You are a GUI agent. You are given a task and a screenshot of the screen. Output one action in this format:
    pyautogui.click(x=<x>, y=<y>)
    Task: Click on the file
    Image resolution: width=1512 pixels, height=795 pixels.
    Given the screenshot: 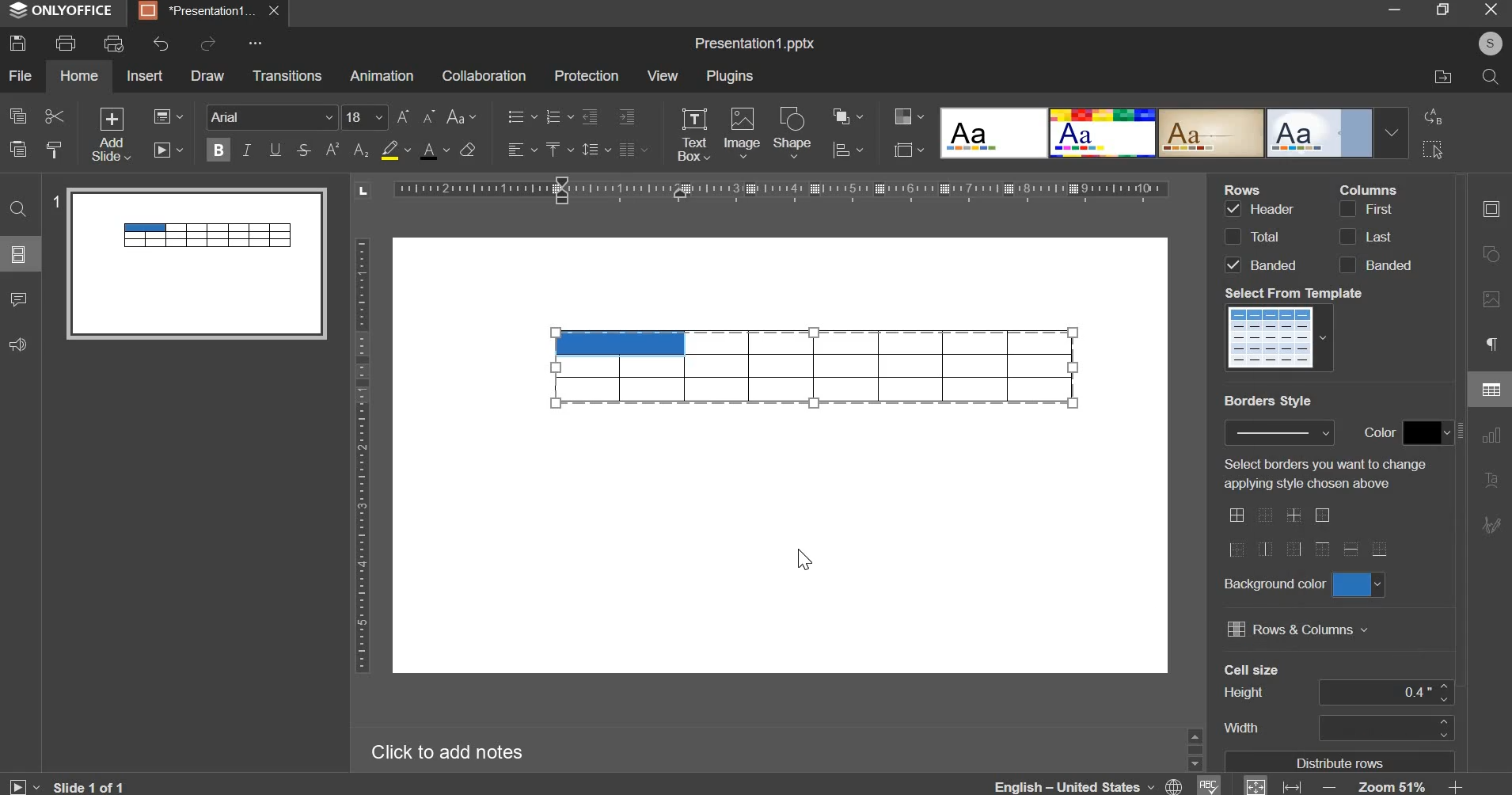 What is the action you would take?
    pyautogui.click(x=21, y=75)
    